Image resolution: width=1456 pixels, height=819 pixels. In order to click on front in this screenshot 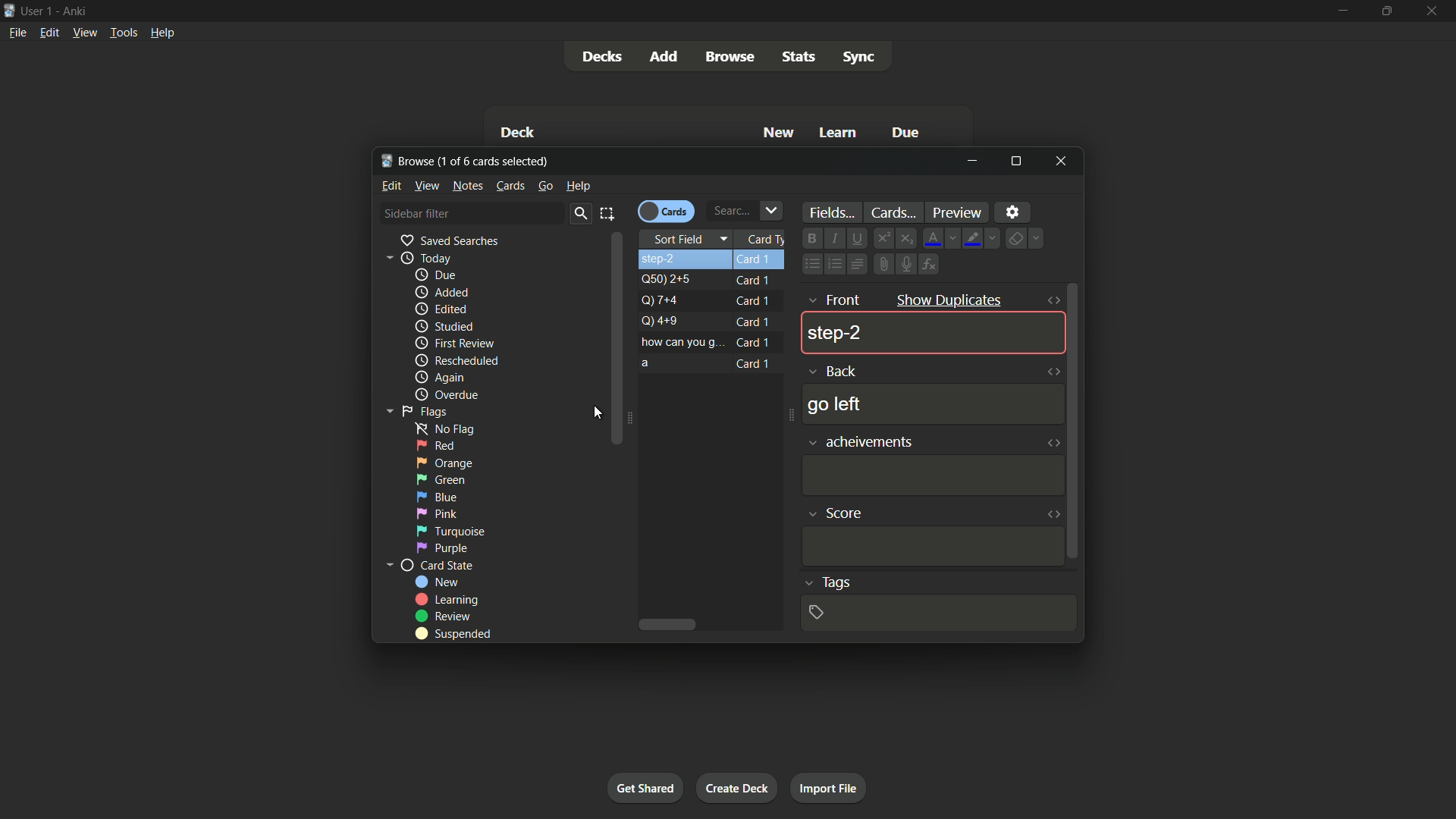, I will do `click(833, 300)`.